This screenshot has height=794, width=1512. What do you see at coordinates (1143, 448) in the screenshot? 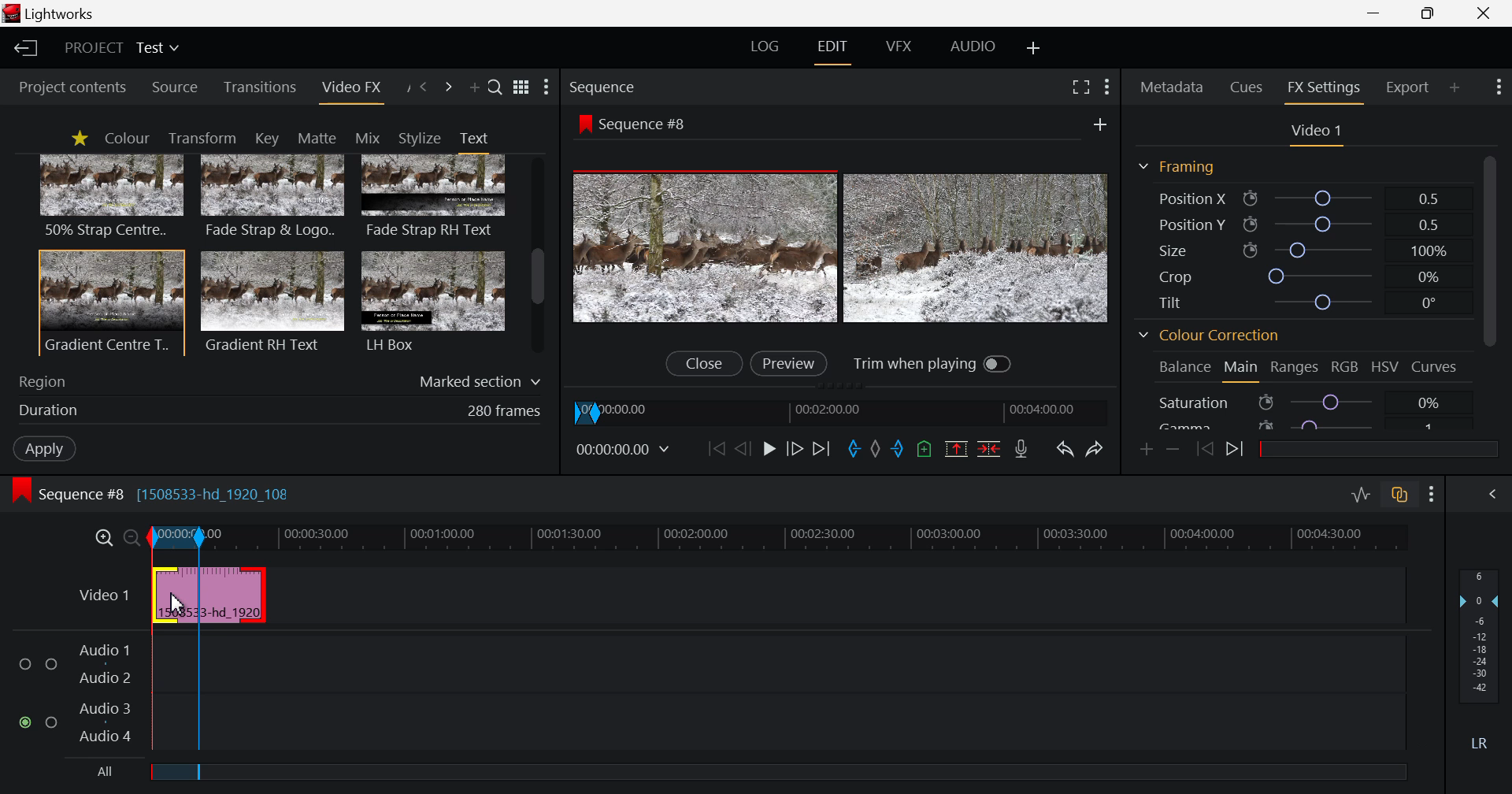
I see `Add keyframe` at bounding box center [1143, 448].